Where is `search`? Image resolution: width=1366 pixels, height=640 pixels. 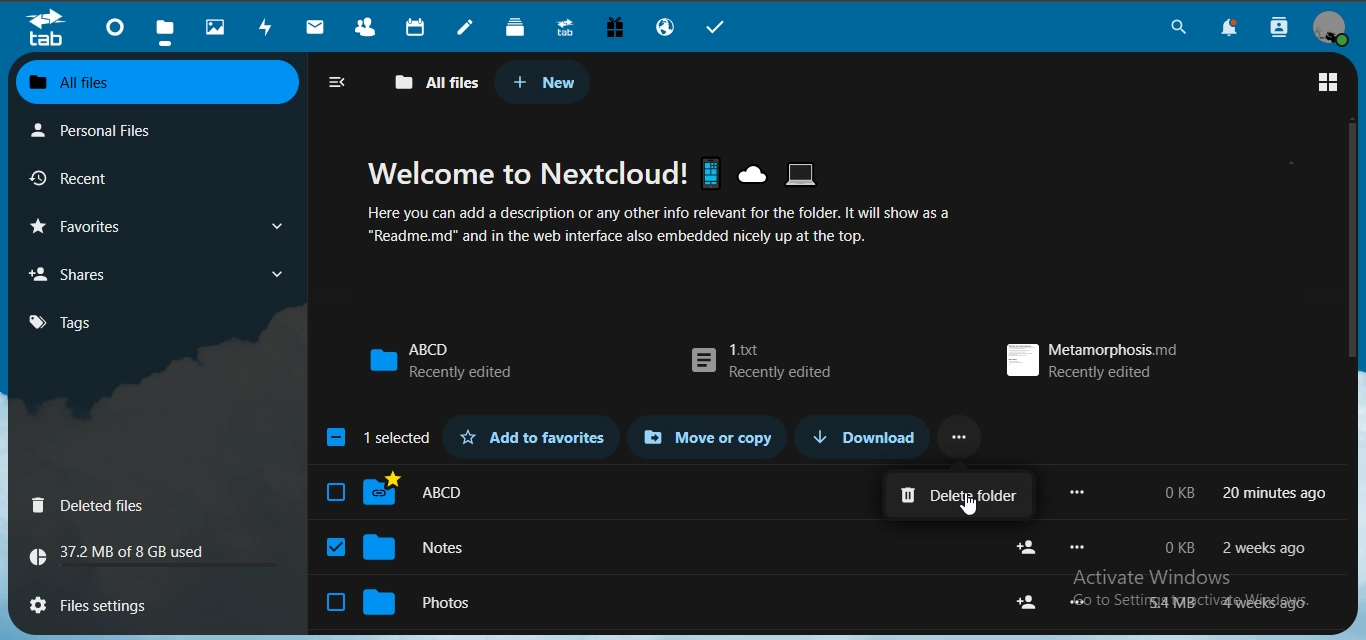 search is located at coordinates (1176, 27).